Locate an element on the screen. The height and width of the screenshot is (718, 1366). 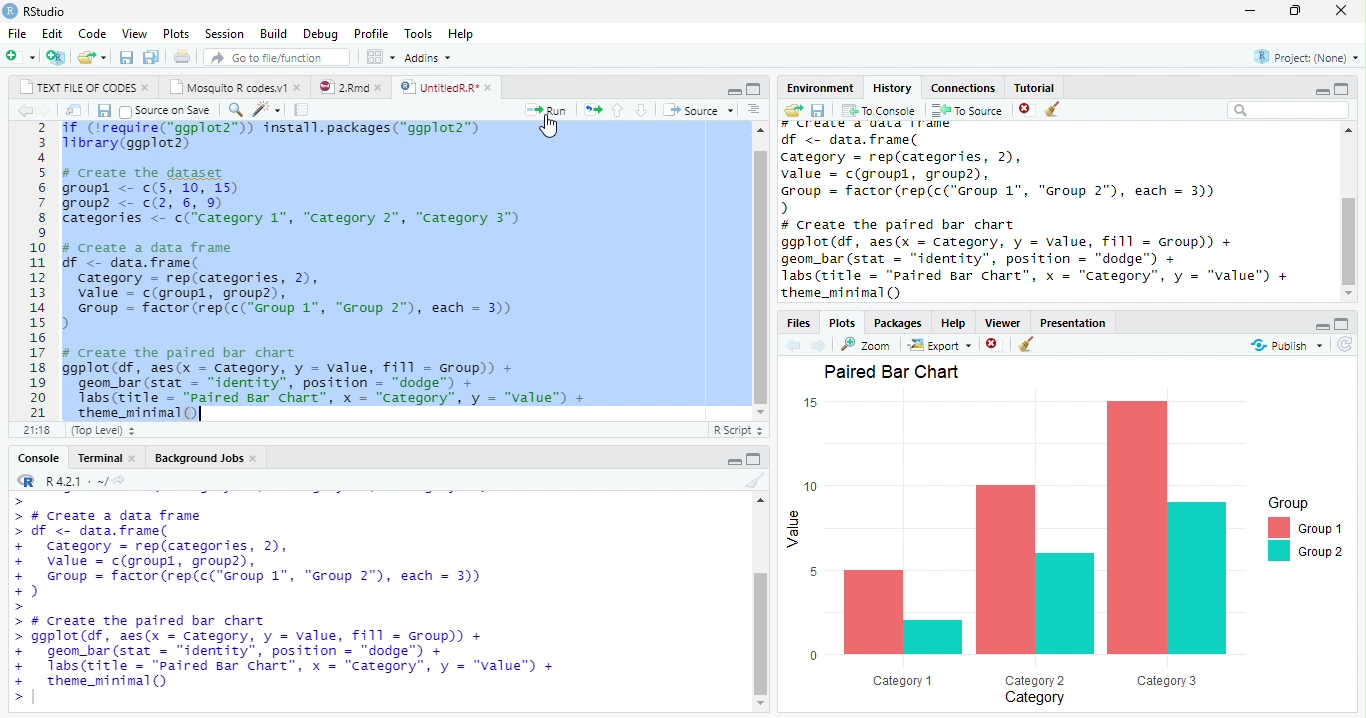
edit is located at coordinates (49, 33).